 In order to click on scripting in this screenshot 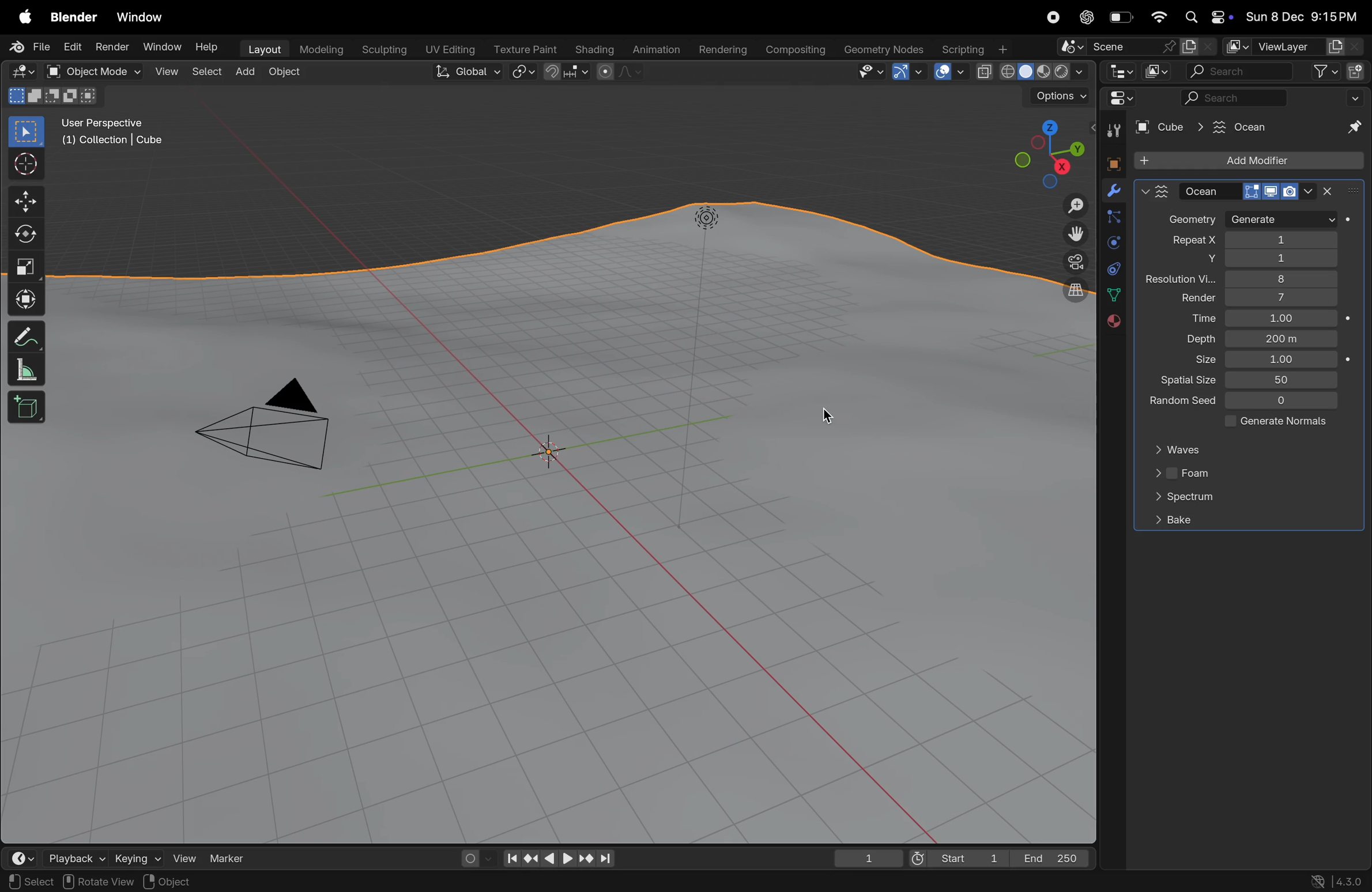, I will do `click(973, 50)`.